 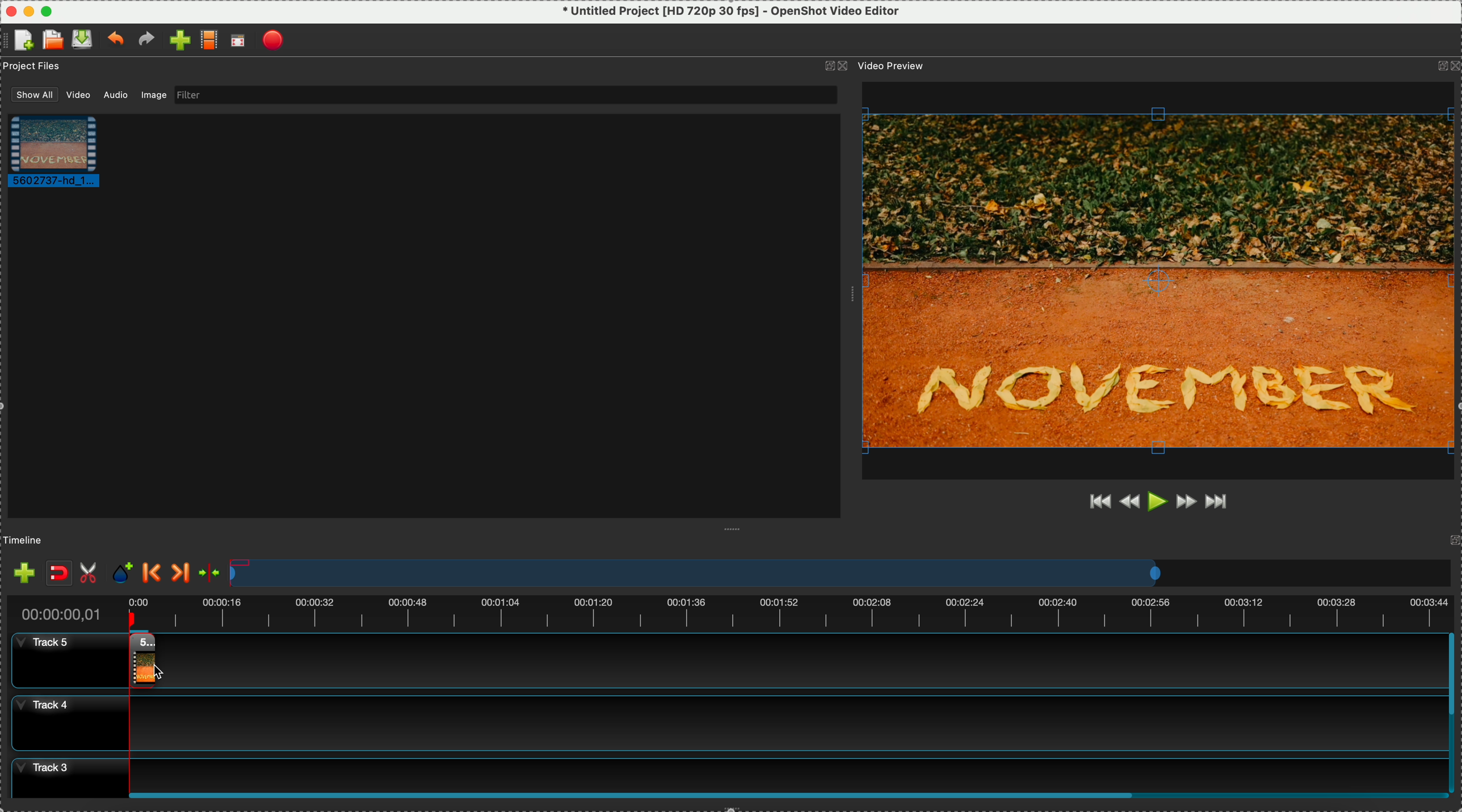 What do you see at coordinates (732, 11) in the screenshot?
I see `* Untitled Project [HD 720p 30 fps] - OpenShot Video Editor` at bounding box center [732, 11].